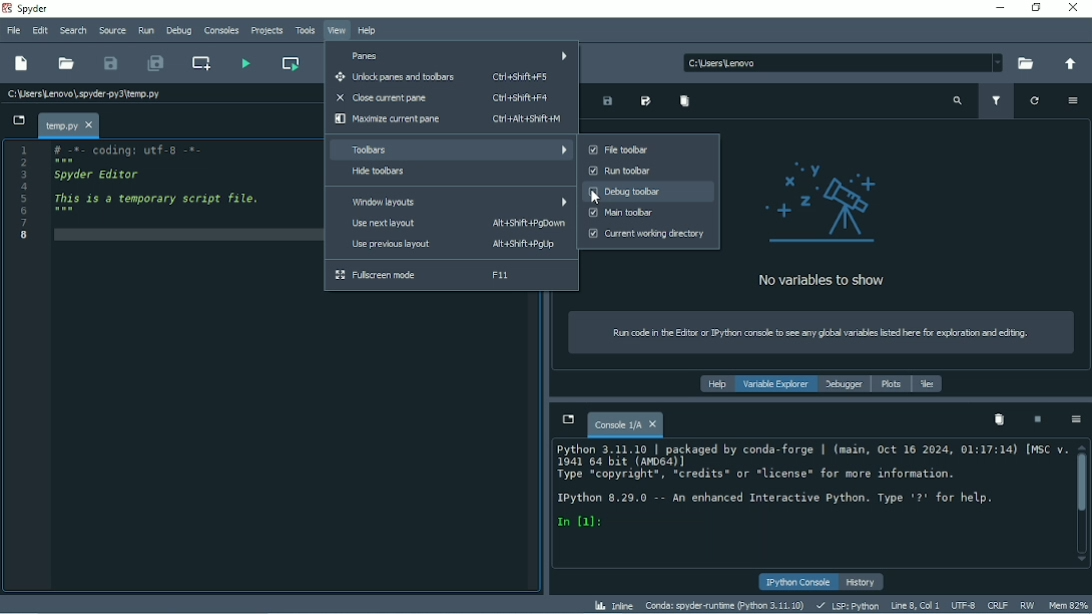 The height and width of the screenshot is (614, 1092). Describe the element at coordinates (807, 488) in the screenshot. I see `Console` at that location.